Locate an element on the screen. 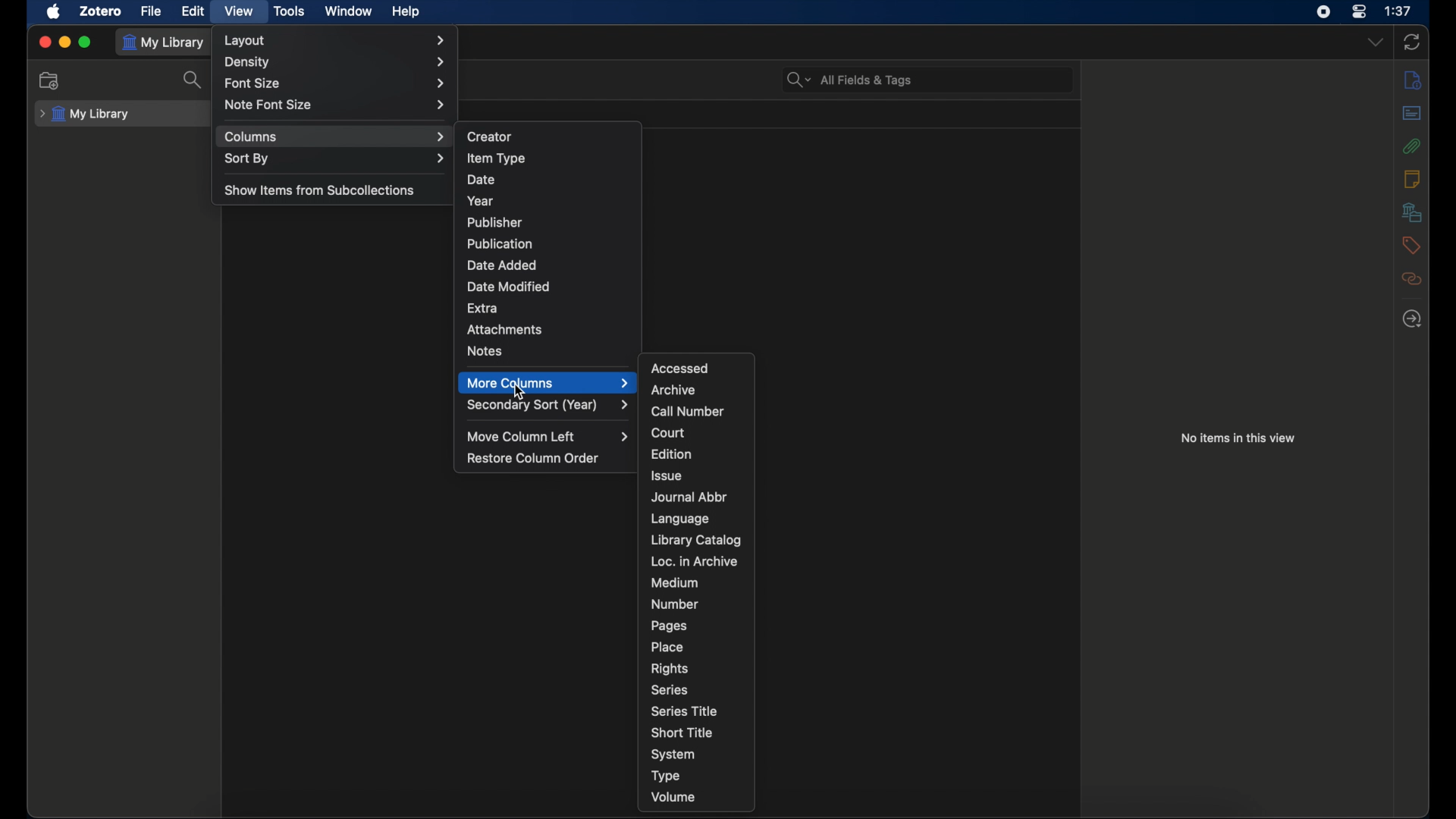  language is located at coordinates (682, 519).